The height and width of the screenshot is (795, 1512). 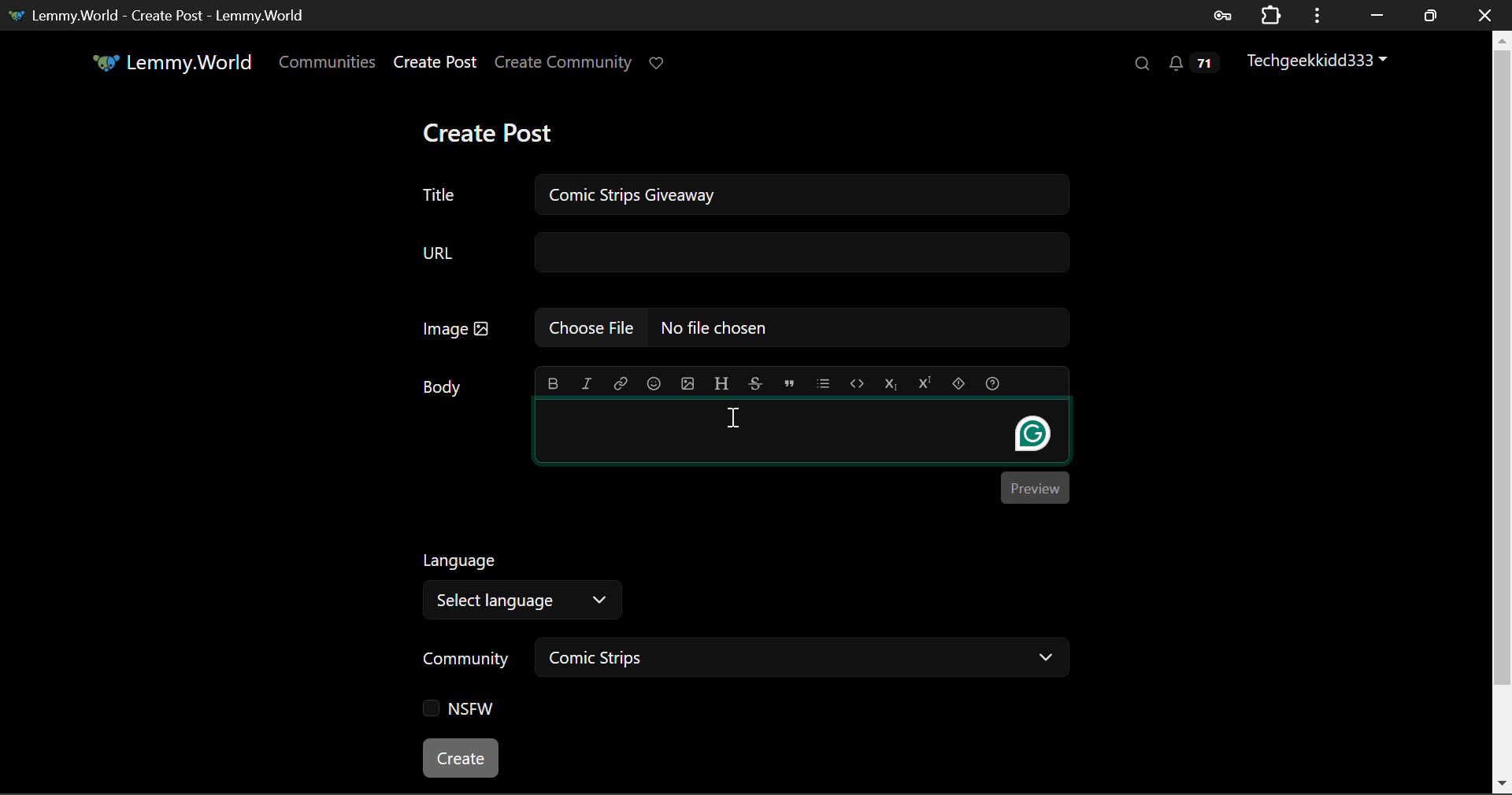 What do you see at coordinates (686, 381) in the screenshot?
I see `upload image` at bounding box center [686, 381].